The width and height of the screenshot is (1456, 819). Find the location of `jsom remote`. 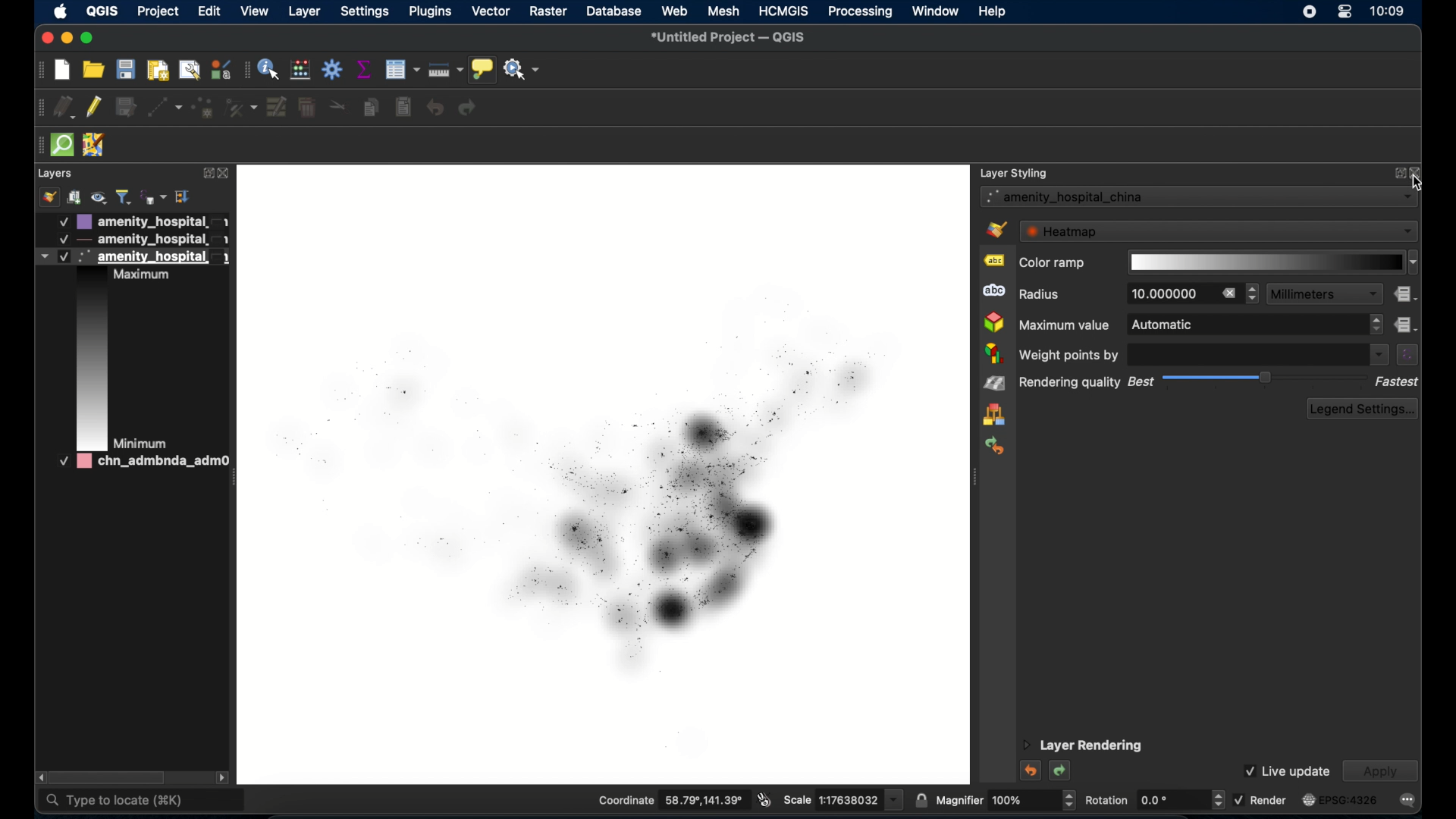

jsom remote is located at coordinates (96, 146).